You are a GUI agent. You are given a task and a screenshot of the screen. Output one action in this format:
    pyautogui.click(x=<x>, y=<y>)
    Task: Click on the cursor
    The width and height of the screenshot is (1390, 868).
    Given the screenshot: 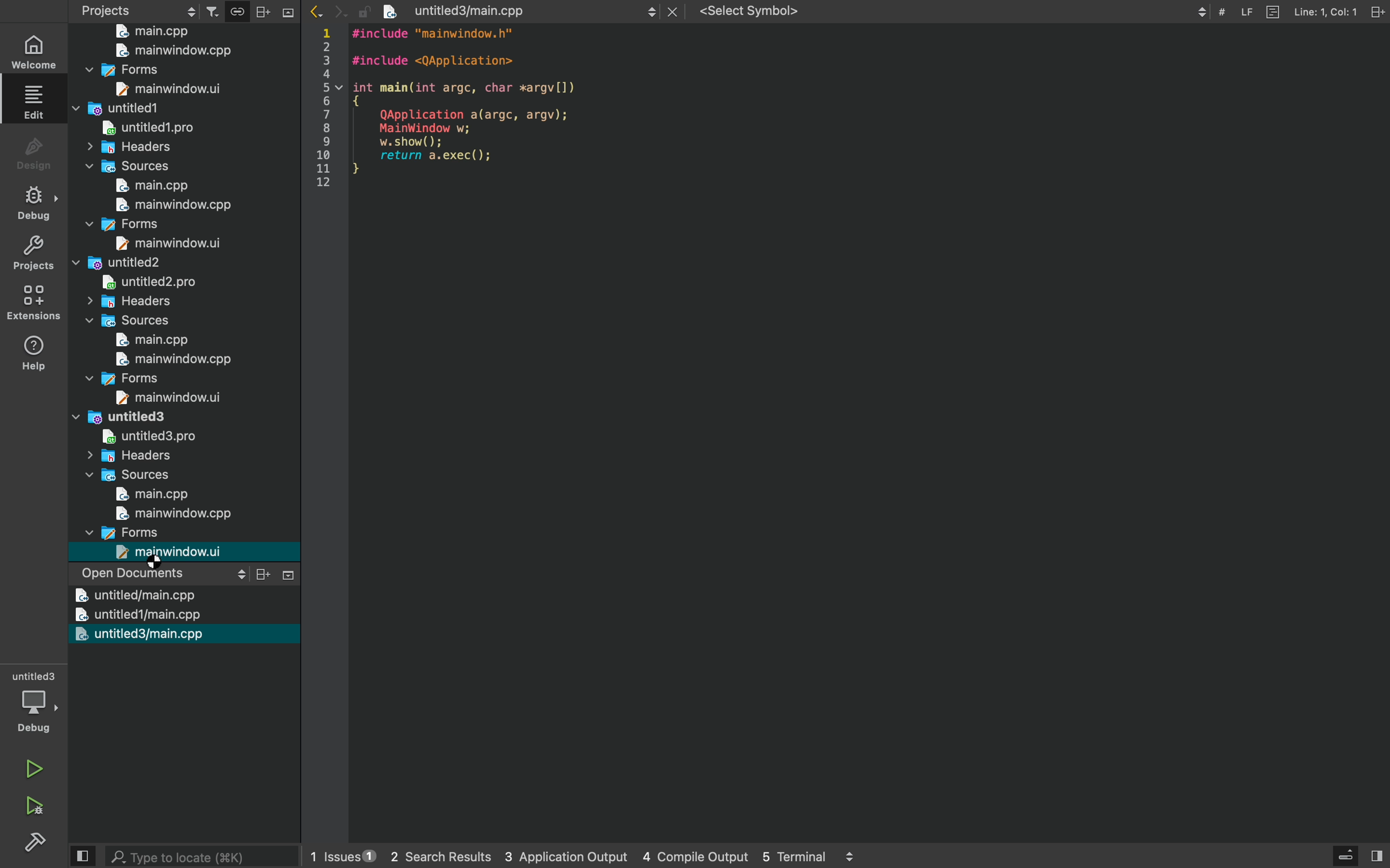 What is the action you would take?
    pyautogui.click(x=159, y=565)
    